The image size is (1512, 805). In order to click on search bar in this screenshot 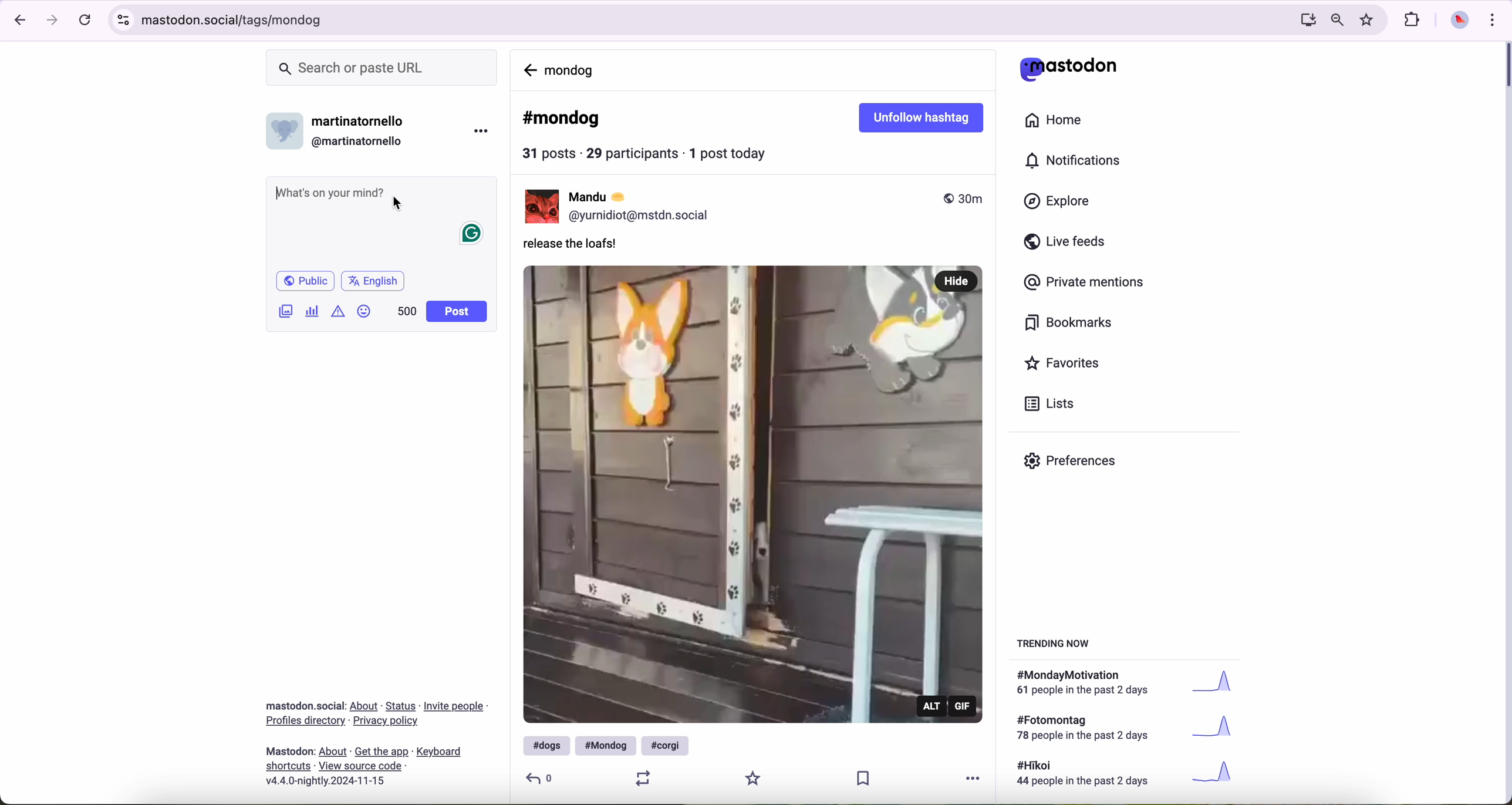, I will do `click(384, 68)`.